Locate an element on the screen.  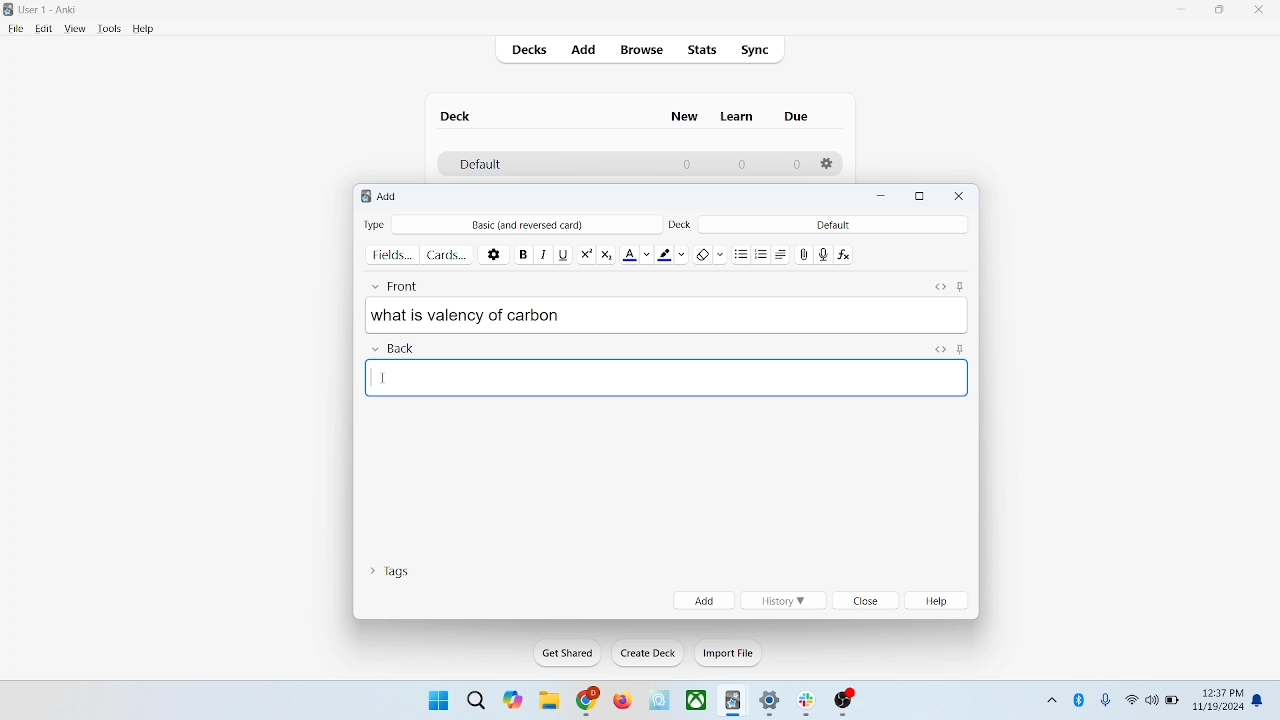
attachment is located at coordinates (805, 253).